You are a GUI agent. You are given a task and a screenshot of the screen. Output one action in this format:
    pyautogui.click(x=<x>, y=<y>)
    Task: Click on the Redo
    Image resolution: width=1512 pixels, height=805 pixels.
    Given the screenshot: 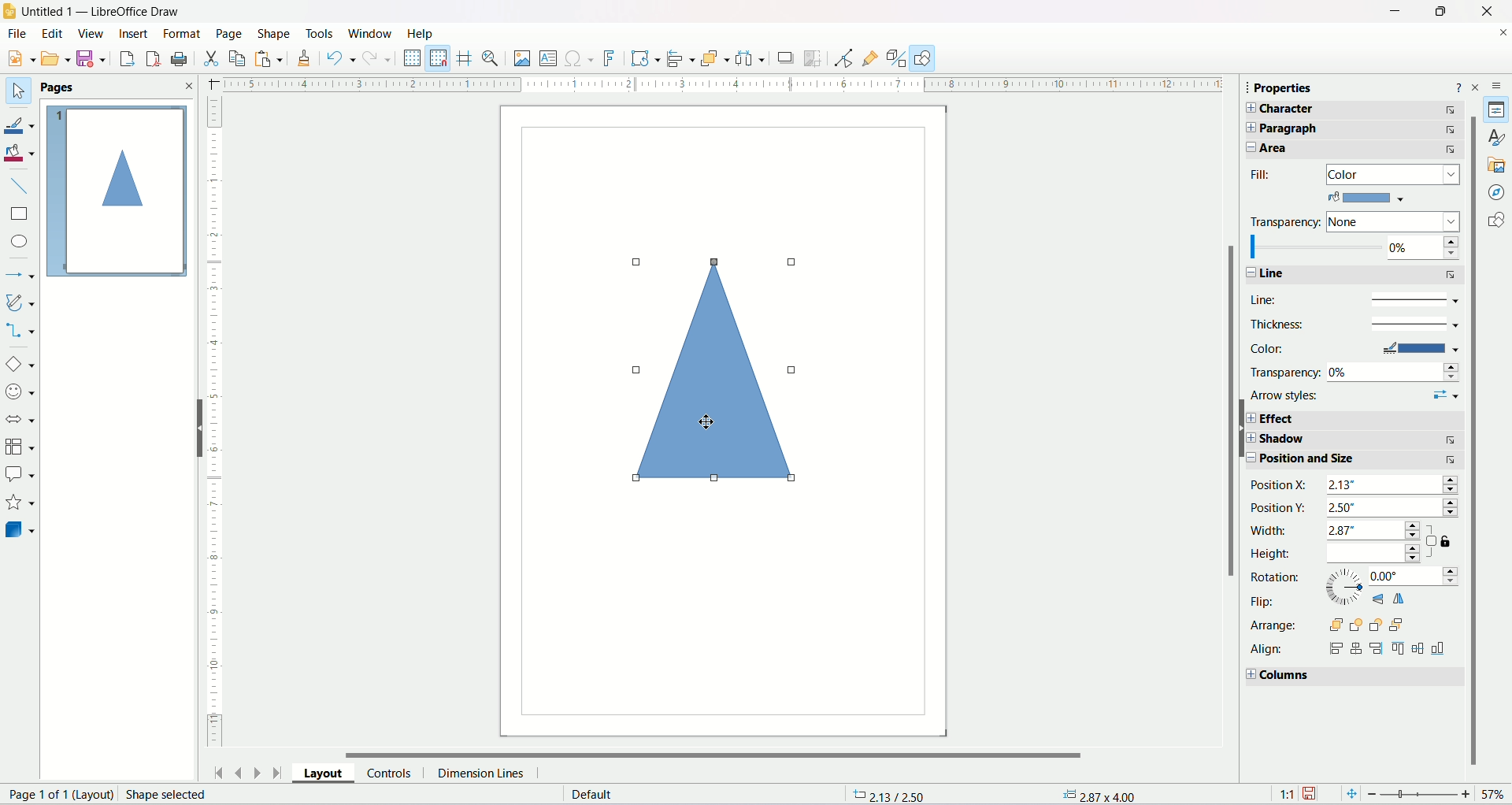 What is the action you would take?
    pyautogui.click(x=376, y=57)
    